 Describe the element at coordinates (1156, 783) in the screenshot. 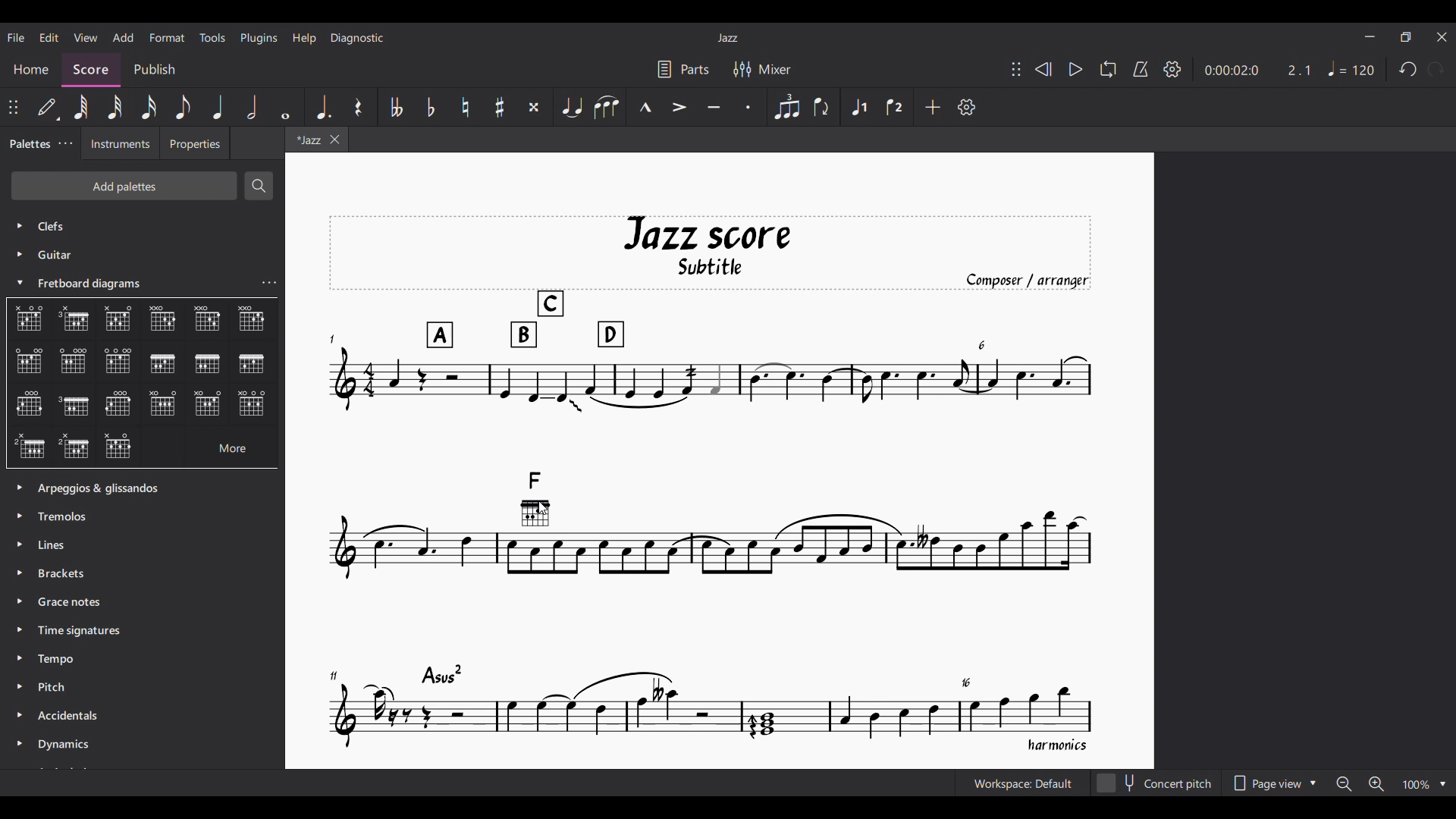

I see `Concert pitch toggle` at that location.